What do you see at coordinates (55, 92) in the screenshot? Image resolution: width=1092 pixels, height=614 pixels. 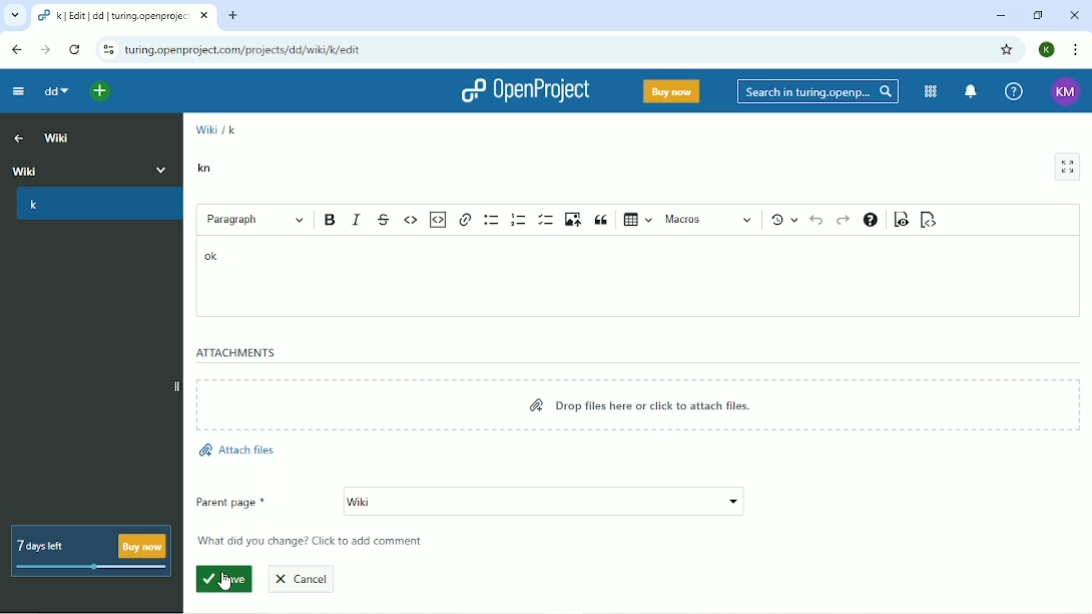 I see `dd` at bounding box center [55, 92].